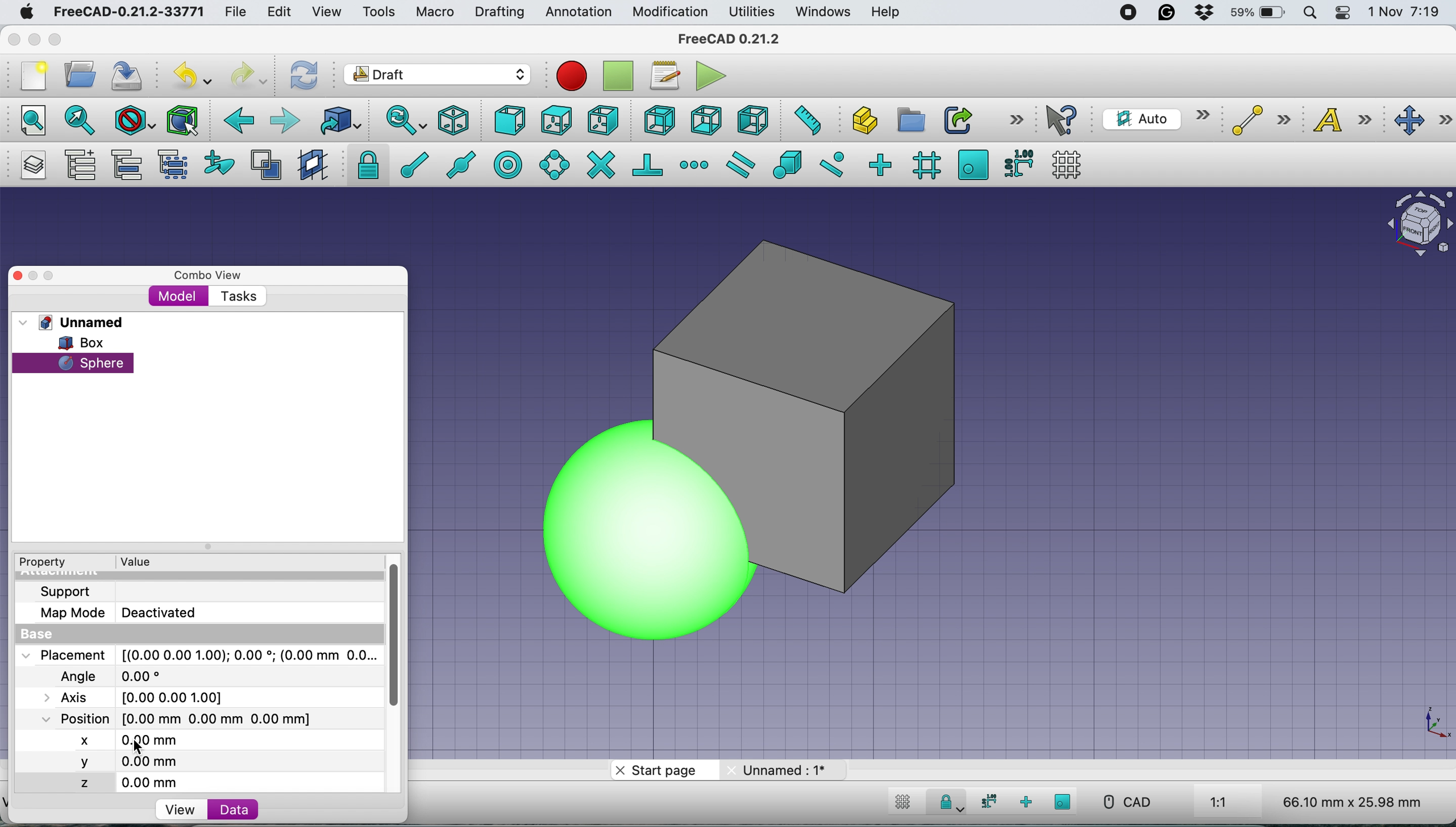 This screenshot has height=827, width=1456. Describe the element at coordinates (80, 167) in the screenshot. I see `add a new named group` at that location.